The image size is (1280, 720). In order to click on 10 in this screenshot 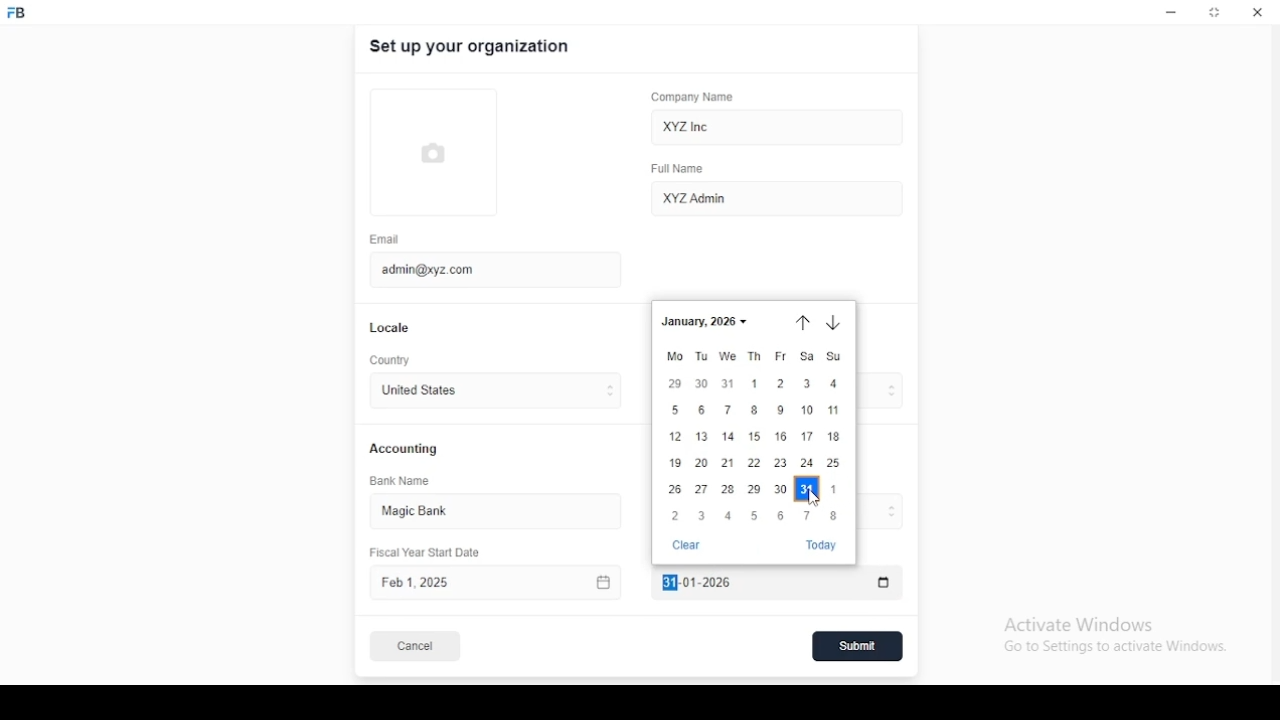, I will do `click(807, 410)`.